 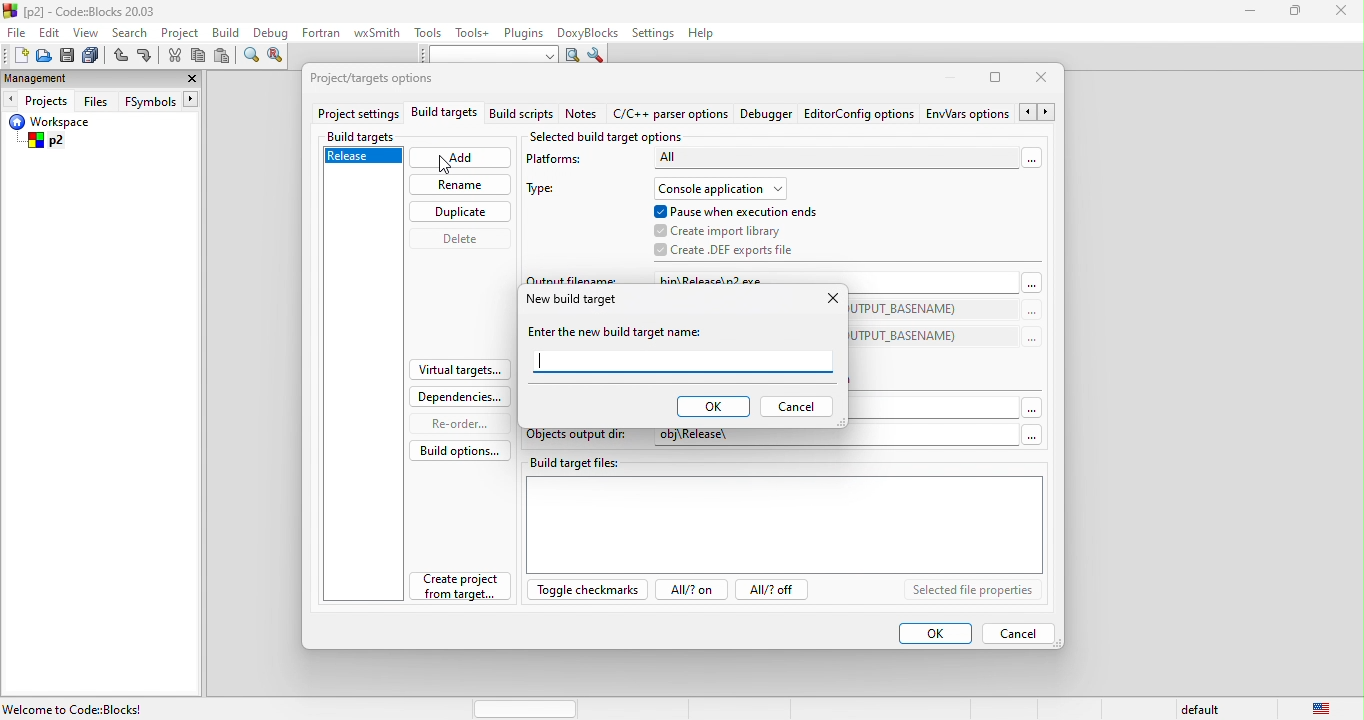 What do you see at coordinates (378, 76) in the screenshot?
I see `project/target option` at bounding box center [378, 76].